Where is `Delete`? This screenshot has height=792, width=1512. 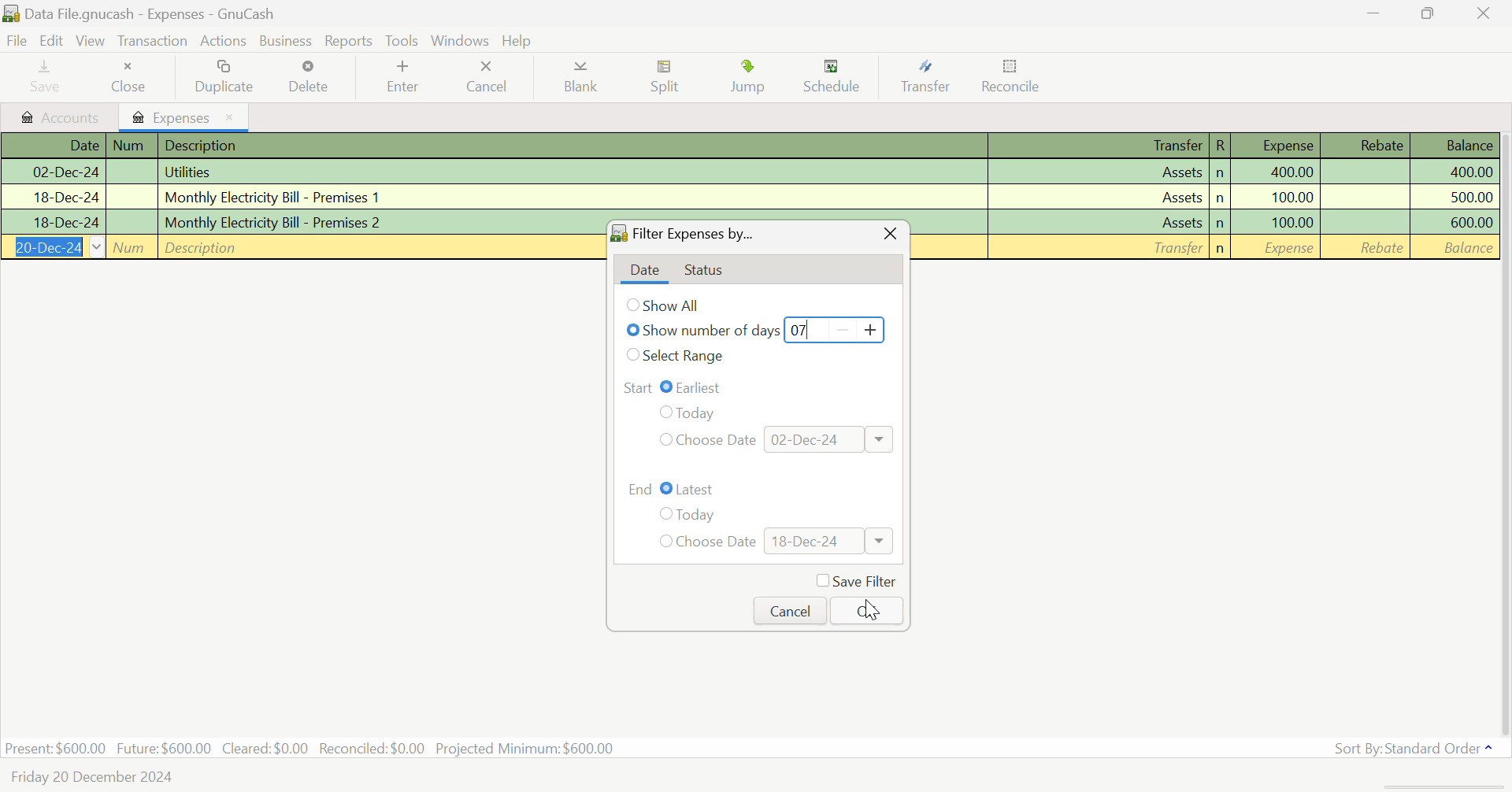 Delete is located at coordinates (315, 76).